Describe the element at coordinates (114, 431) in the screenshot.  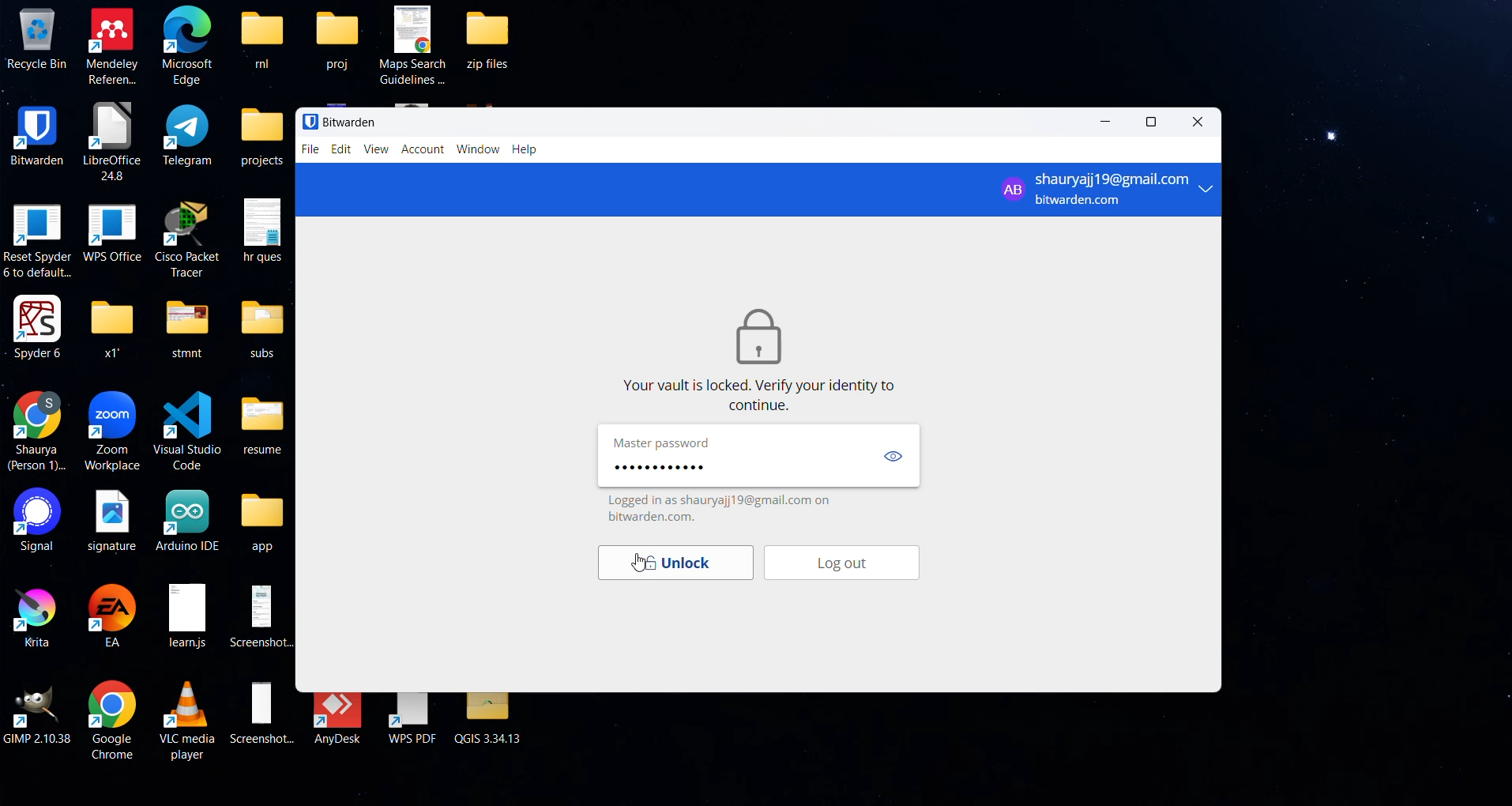
I see `Zoom Workplace` at that location.